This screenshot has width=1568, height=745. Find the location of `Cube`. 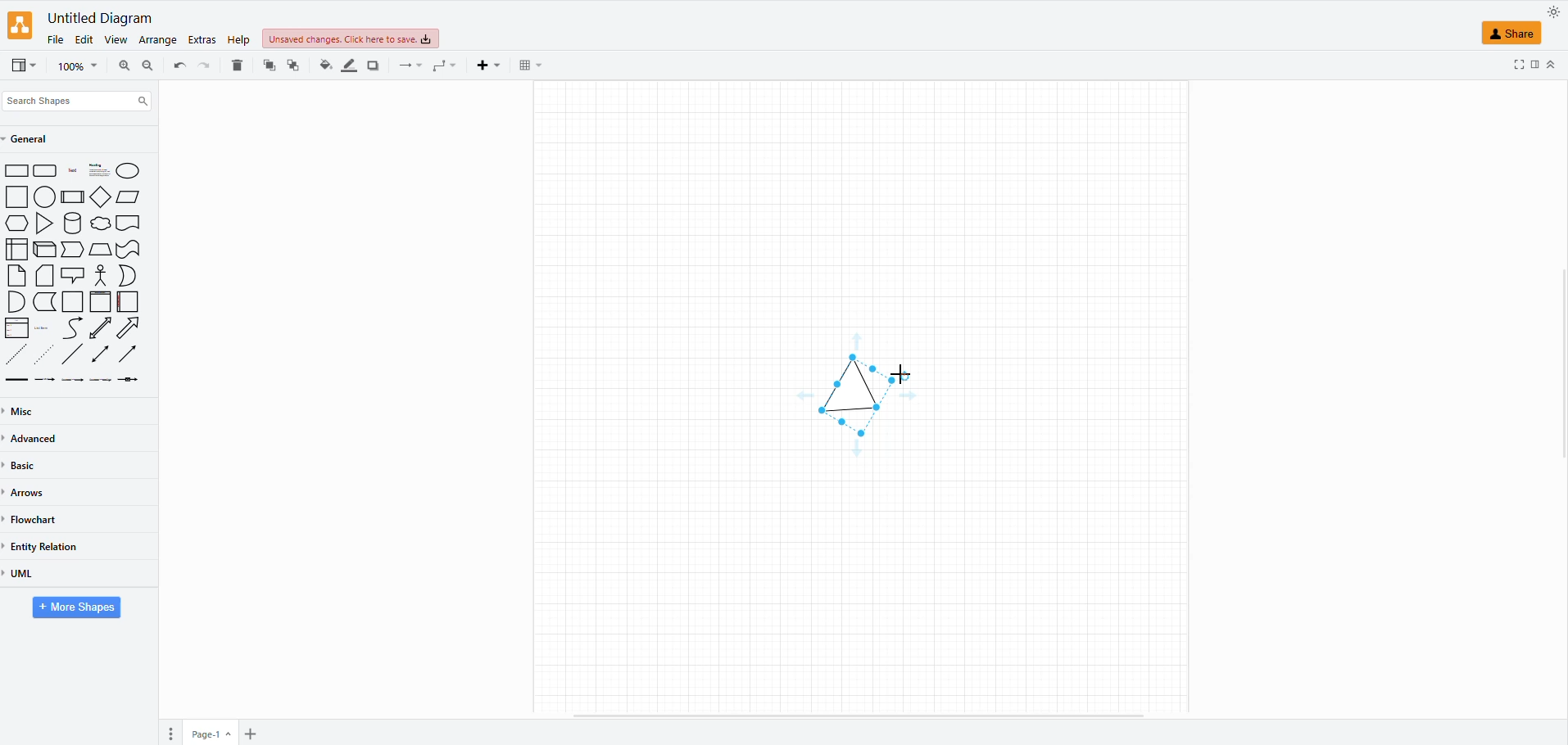

Cube is located at coordinates (46, 250).